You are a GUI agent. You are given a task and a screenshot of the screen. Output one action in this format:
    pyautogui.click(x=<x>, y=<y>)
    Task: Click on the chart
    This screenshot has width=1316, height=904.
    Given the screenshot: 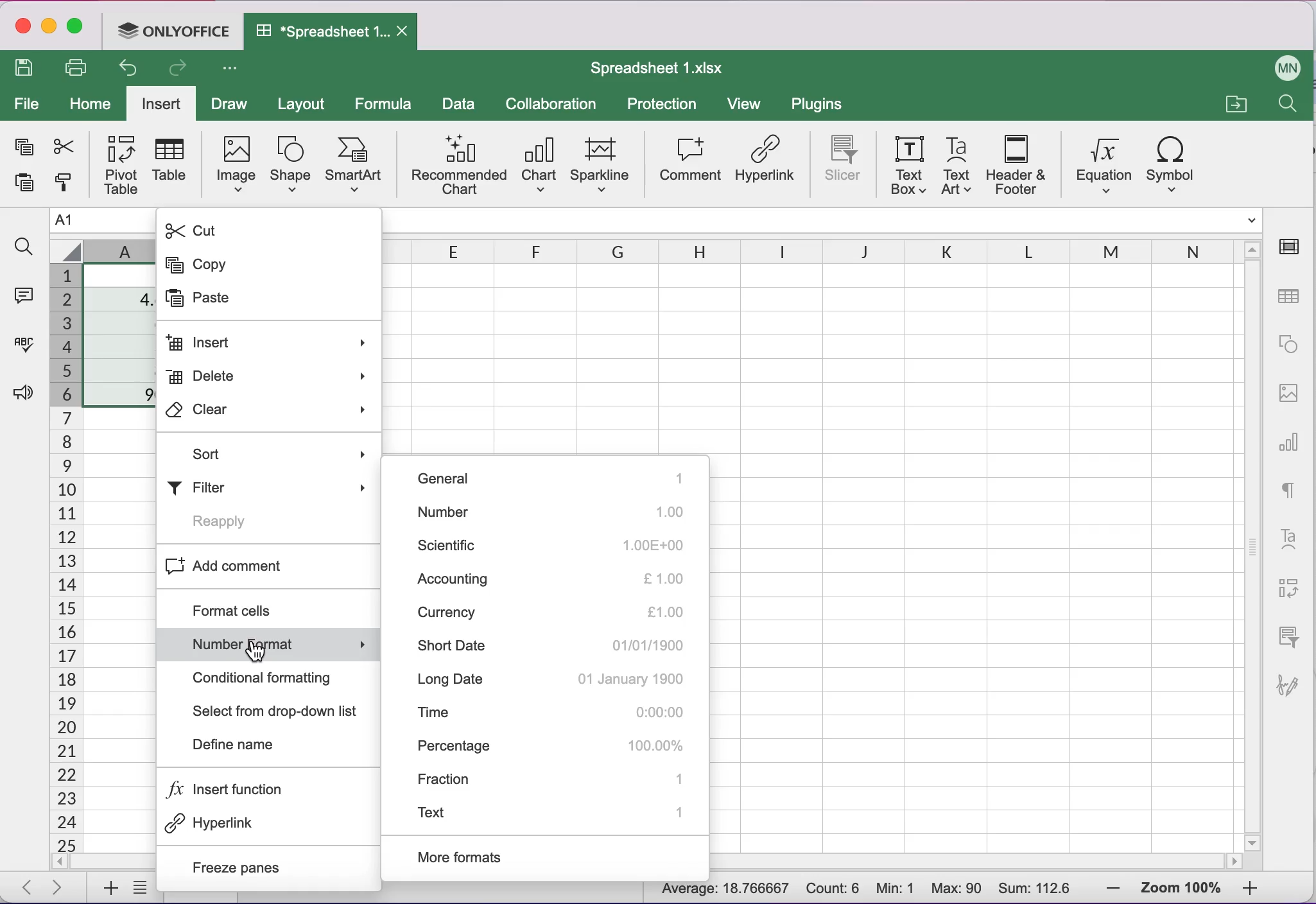 What is the action you would take?
    pyautogui.click(x=539, y=167)
    